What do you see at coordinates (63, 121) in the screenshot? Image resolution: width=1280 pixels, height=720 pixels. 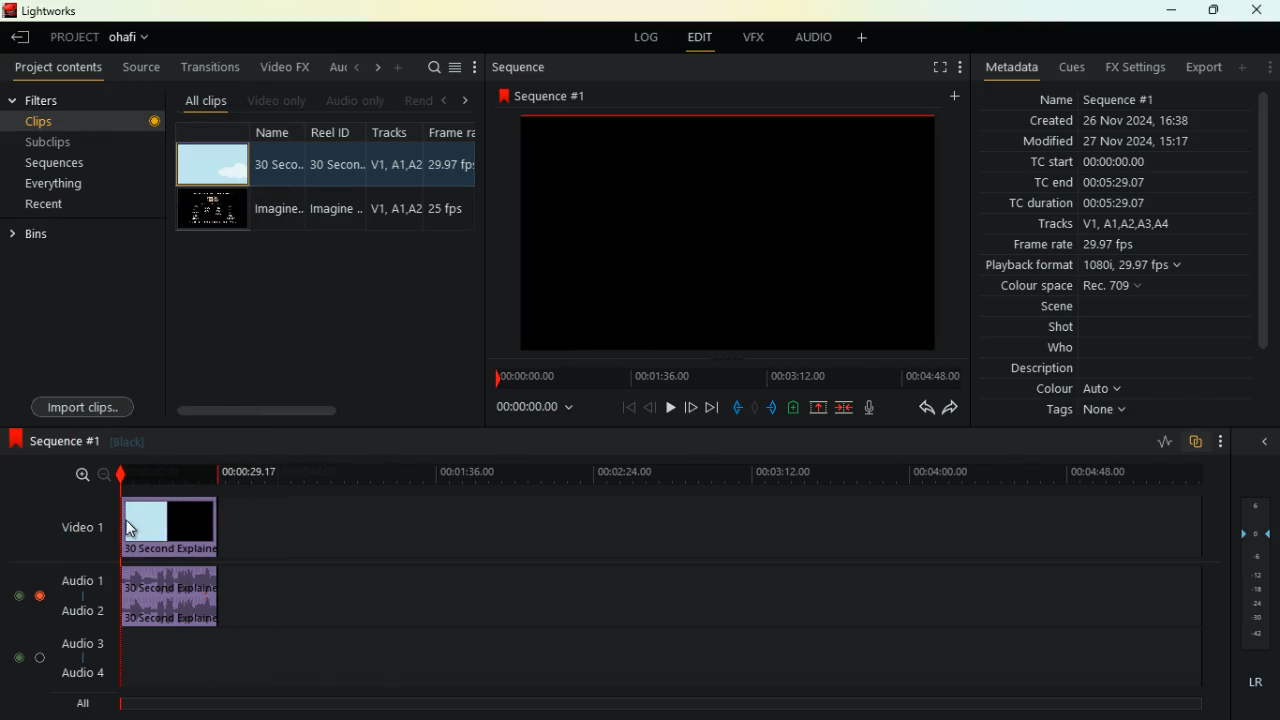 I see `clips` at bounding box center [63, 121].